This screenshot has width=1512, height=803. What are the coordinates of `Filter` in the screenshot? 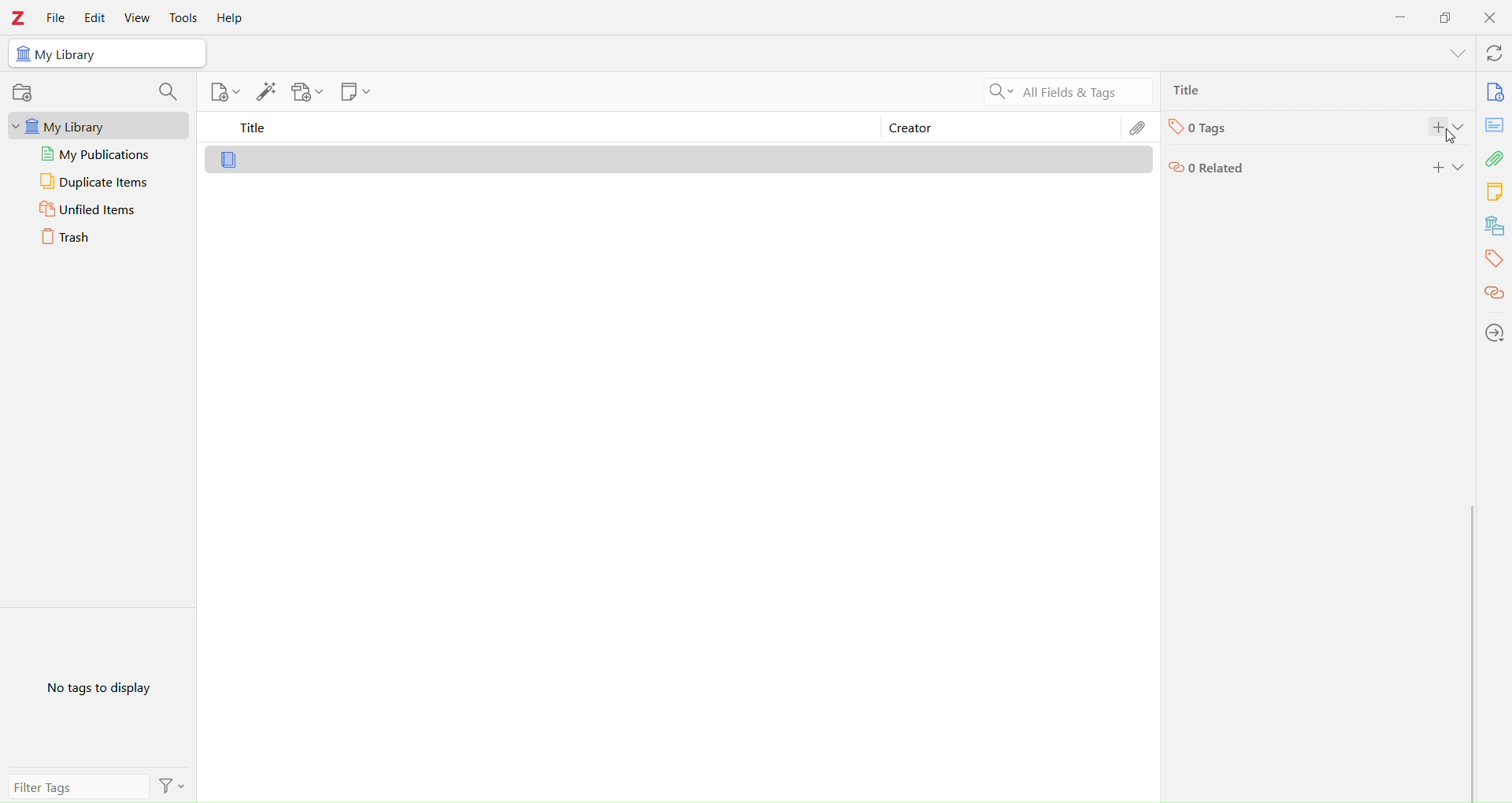 It's located at (173, 785).